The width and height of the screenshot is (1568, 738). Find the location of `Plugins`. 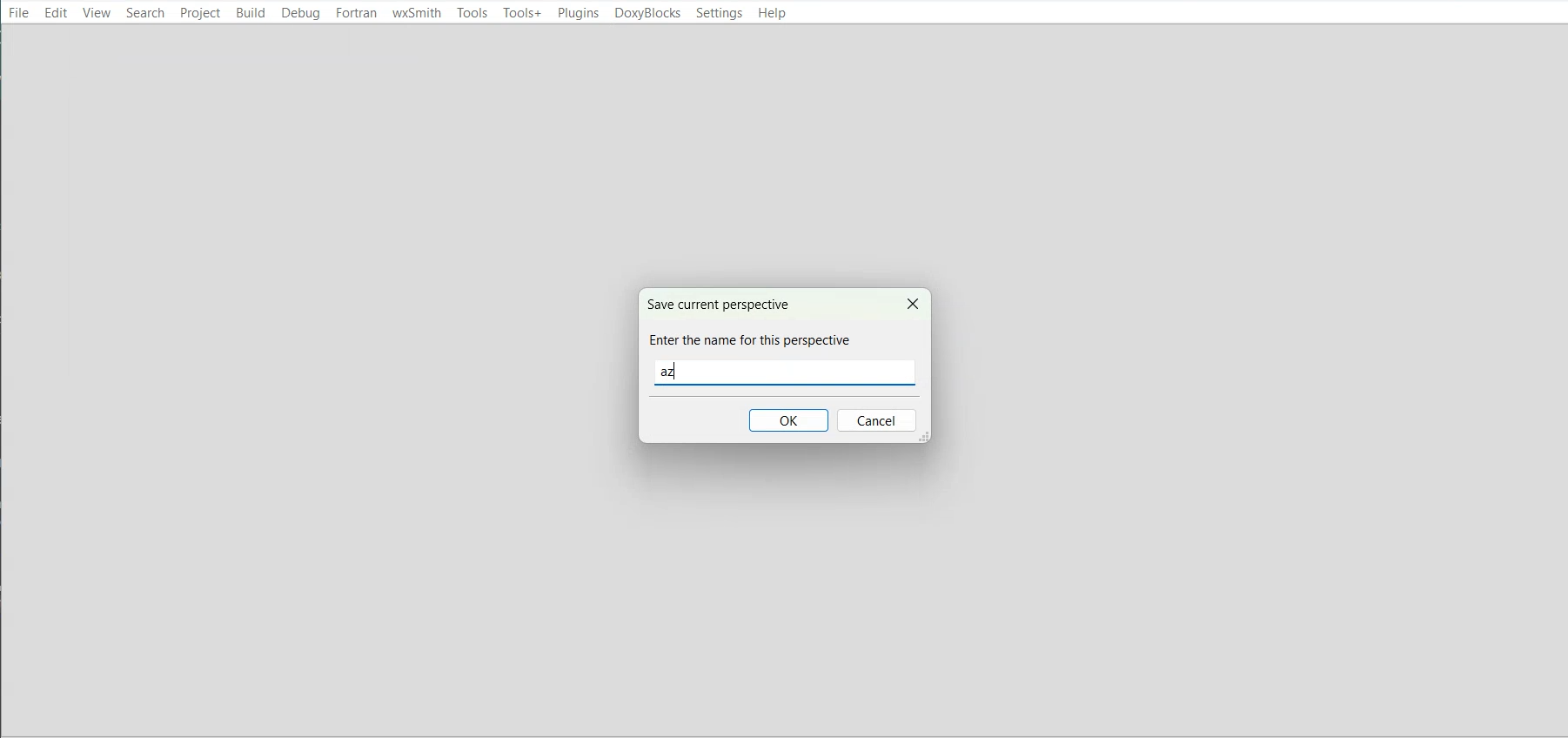

Plugins is located at coordinates (578, 13).